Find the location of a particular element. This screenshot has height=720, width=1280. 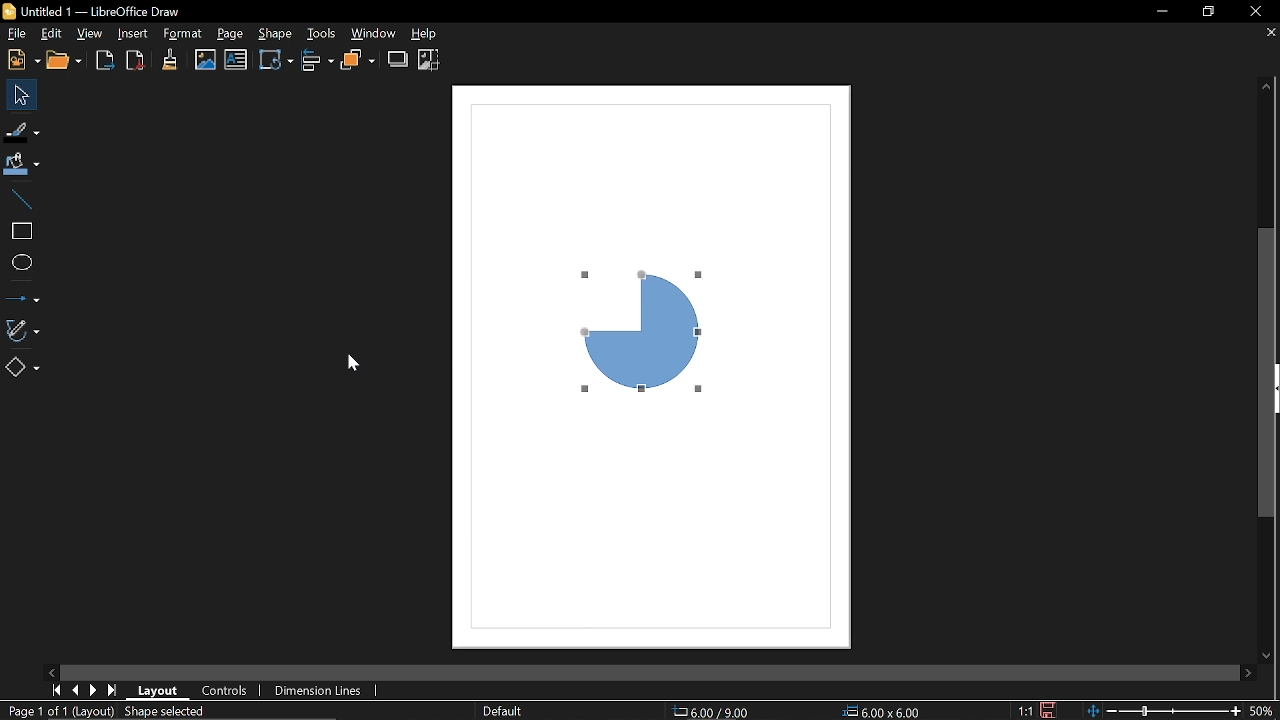

File is located at coordinates (14, 33).